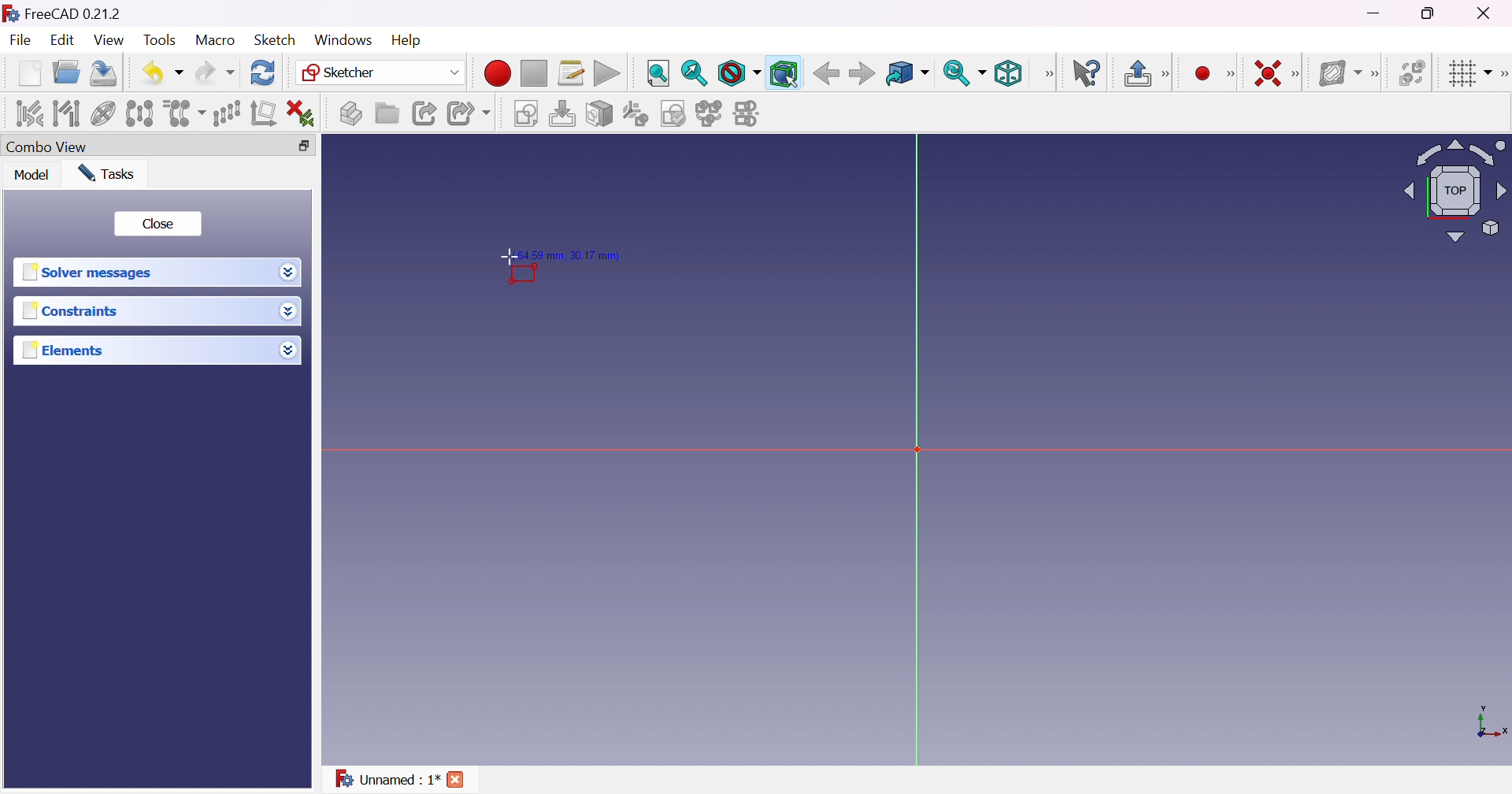 Image resolution: width=1512 pixels, height=794 pixels. Describe the element at coordinates (634, 114) in the screenshot. I see `Reorient sketch...` at that location.